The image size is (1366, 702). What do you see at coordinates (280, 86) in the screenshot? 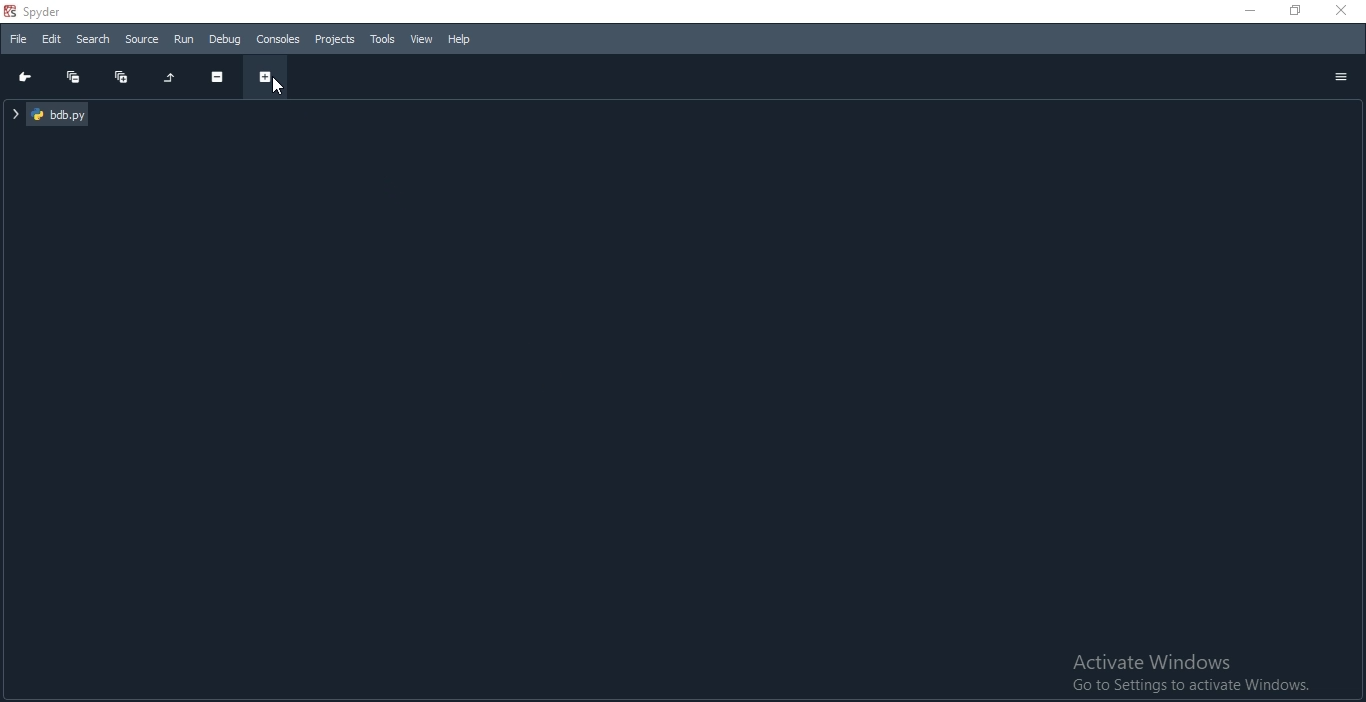
I see `cursor` at bounding box center [280, 86].